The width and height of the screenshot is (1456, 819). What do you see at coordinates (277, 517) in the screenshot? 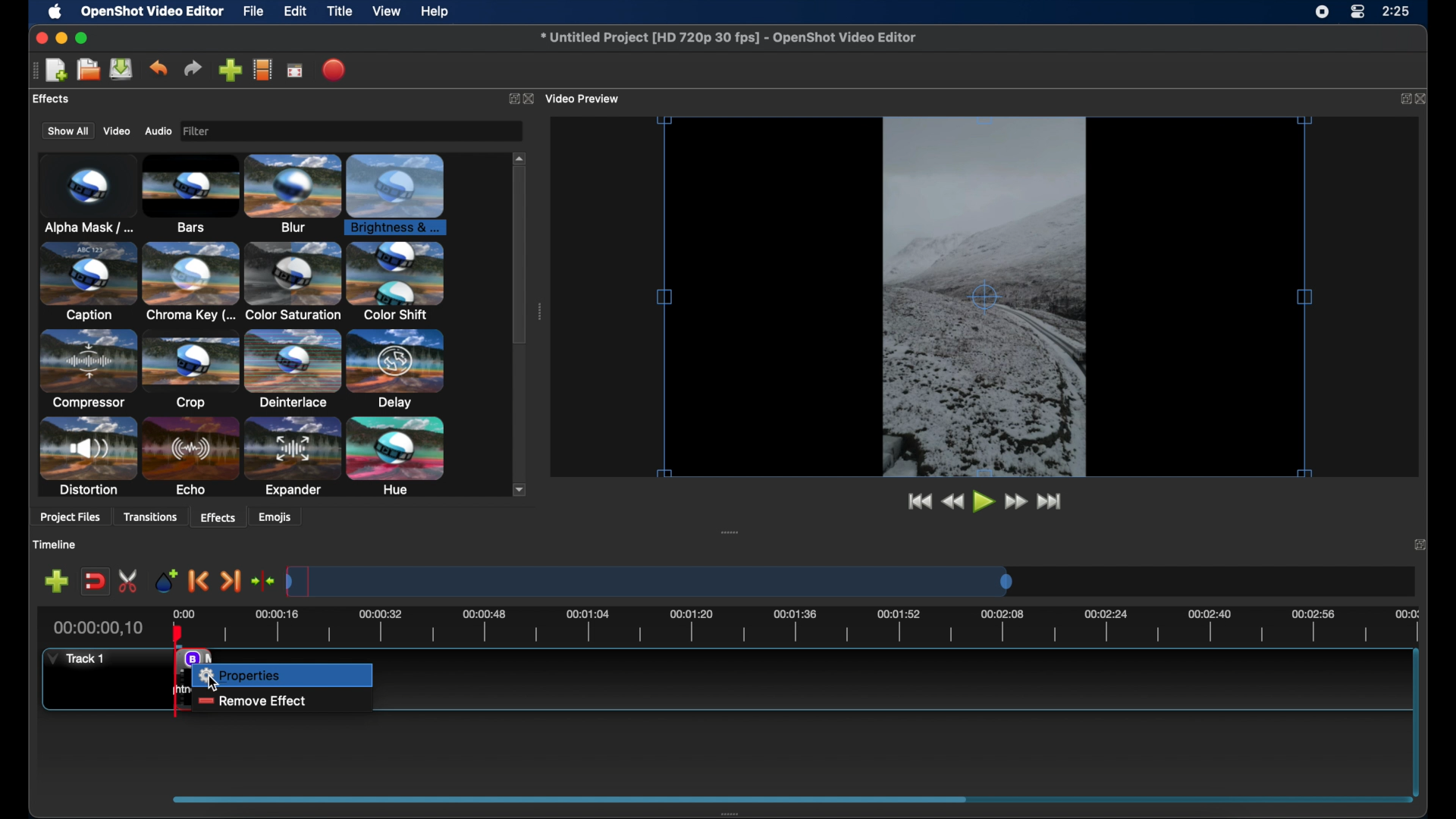
I see `emojis` at bounding box center [277, 517].